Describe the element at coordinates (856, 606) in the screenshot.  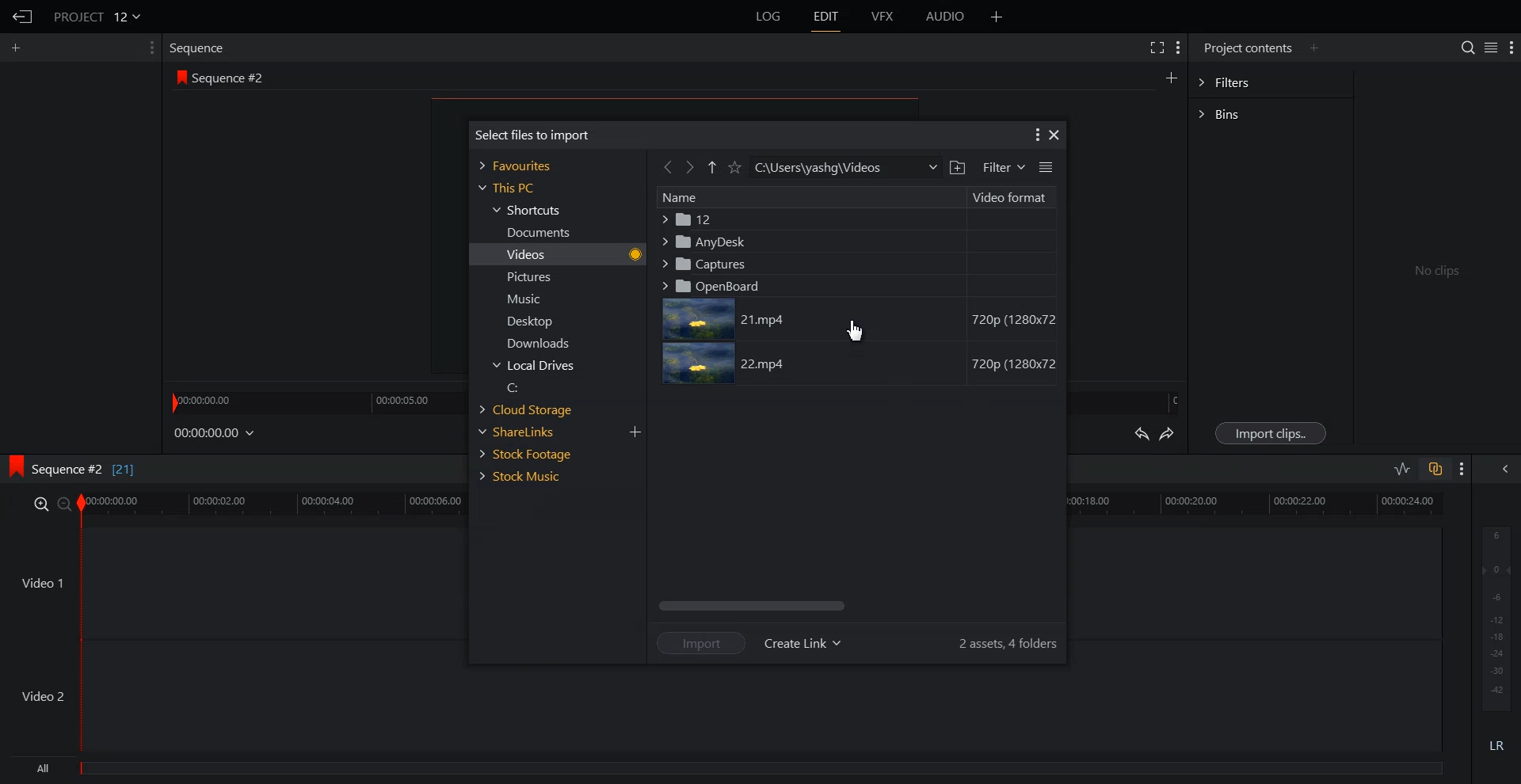
I see `Horizontal scroll Bar` at that location.